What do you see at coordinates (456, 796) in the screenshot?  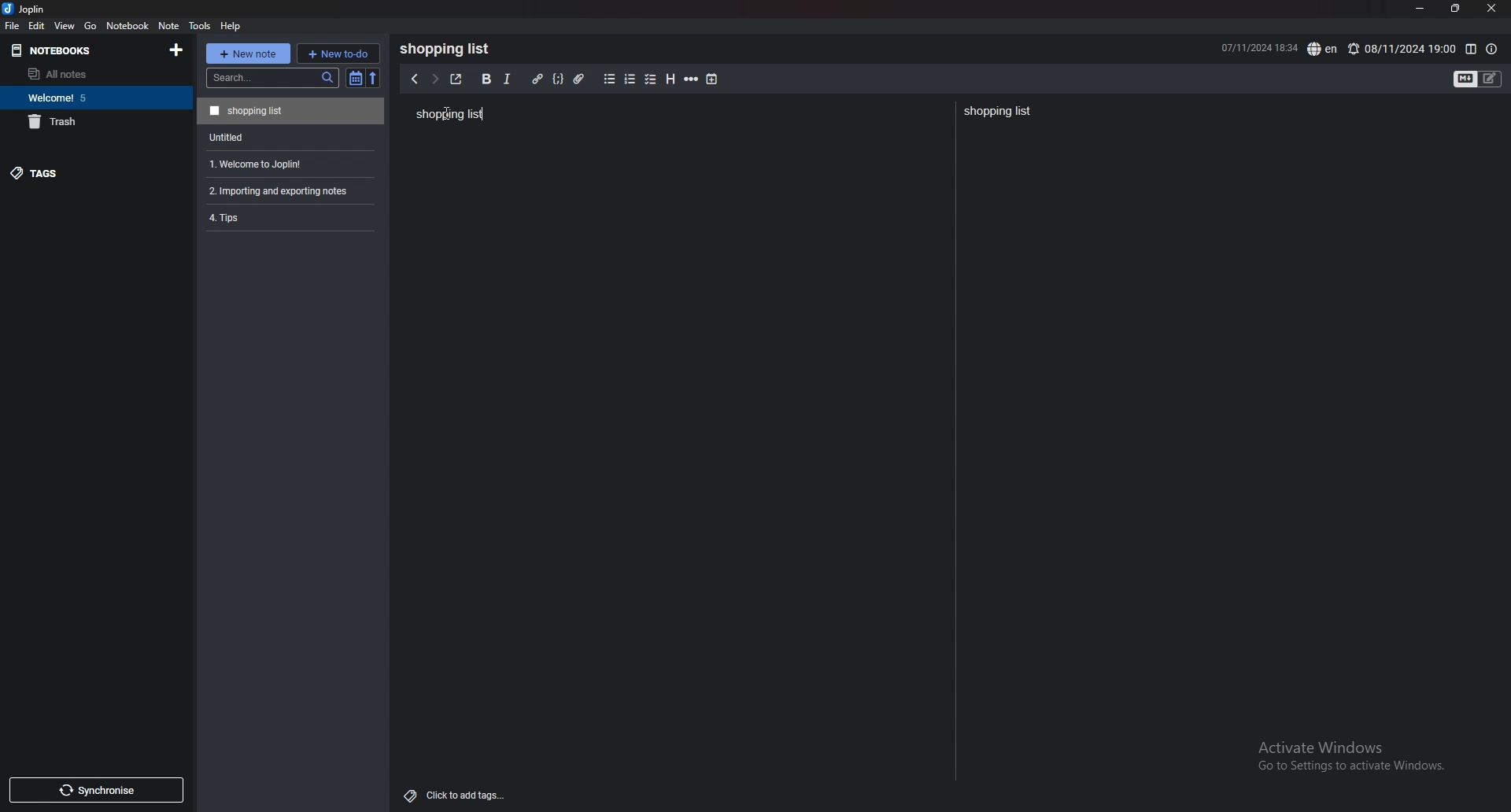 I see `add tags` at bounding box center [456, 796].